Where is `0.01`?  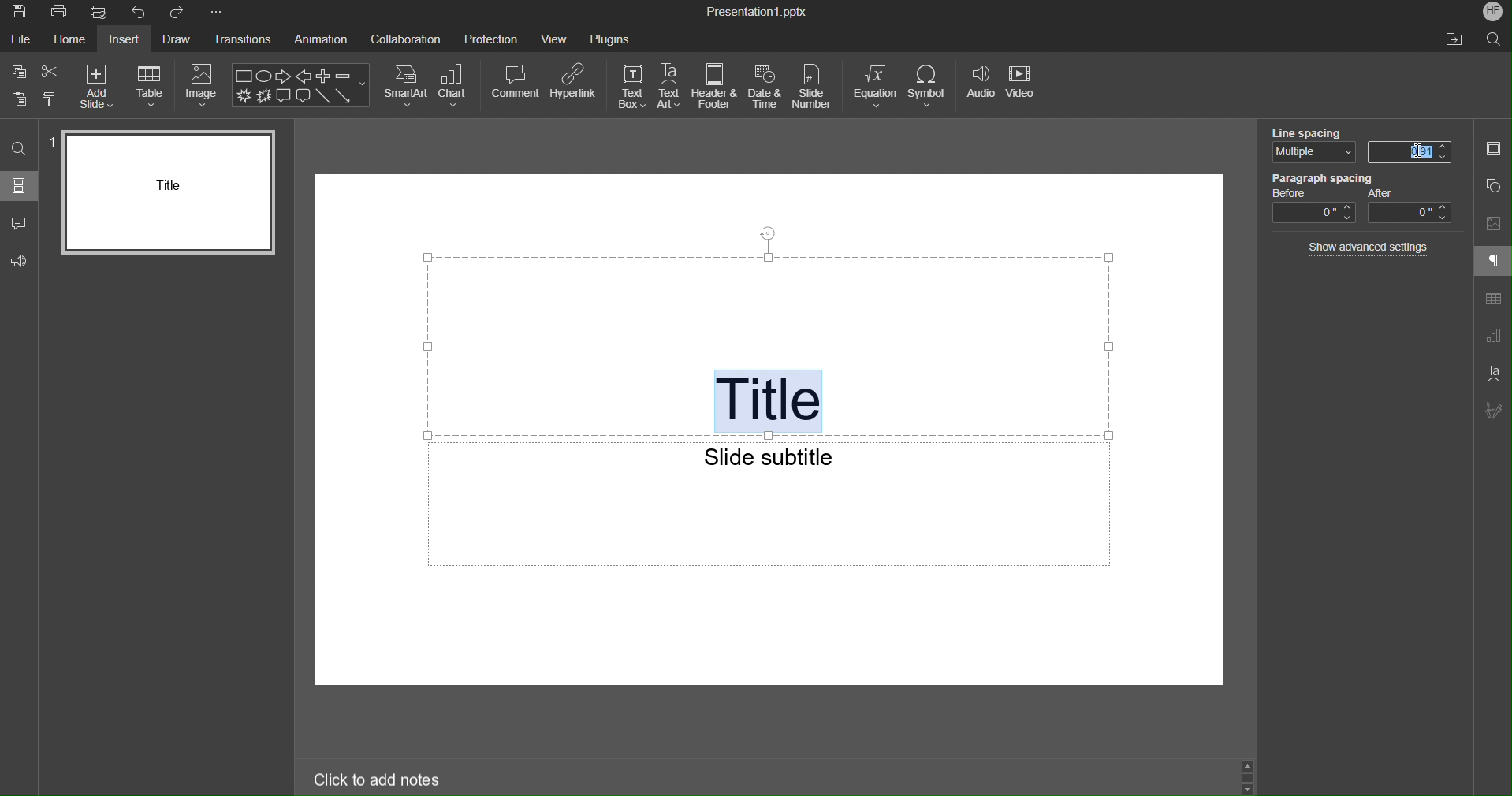 0.01 is located at coordinates (1411, 151).